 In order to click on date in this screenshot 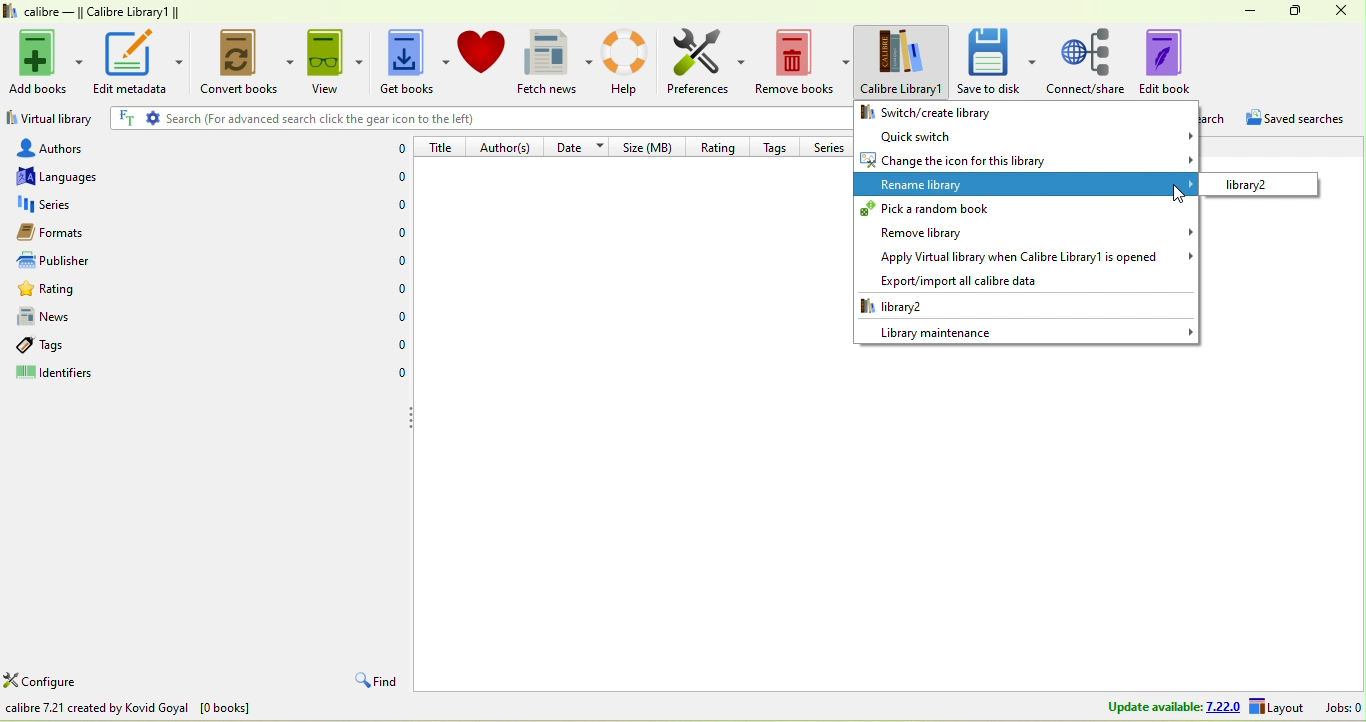, I will do `click(580, 145)`.